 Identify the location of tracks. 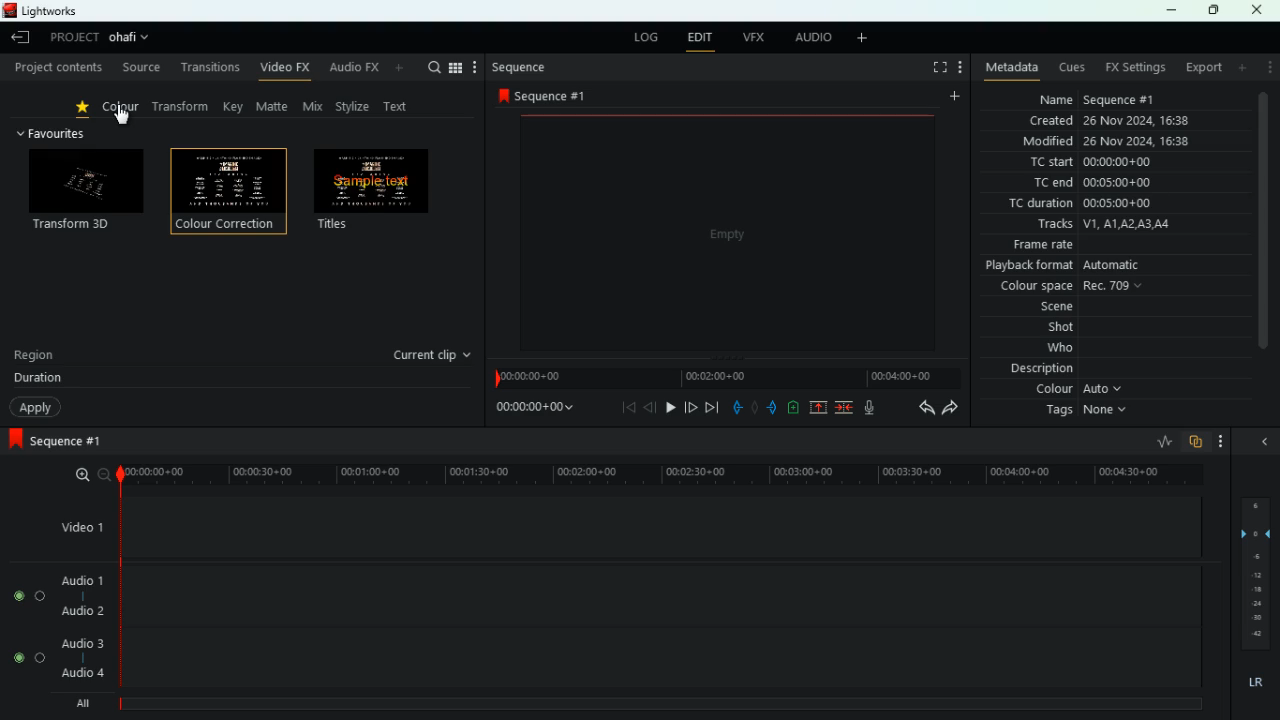
(1114, 225).